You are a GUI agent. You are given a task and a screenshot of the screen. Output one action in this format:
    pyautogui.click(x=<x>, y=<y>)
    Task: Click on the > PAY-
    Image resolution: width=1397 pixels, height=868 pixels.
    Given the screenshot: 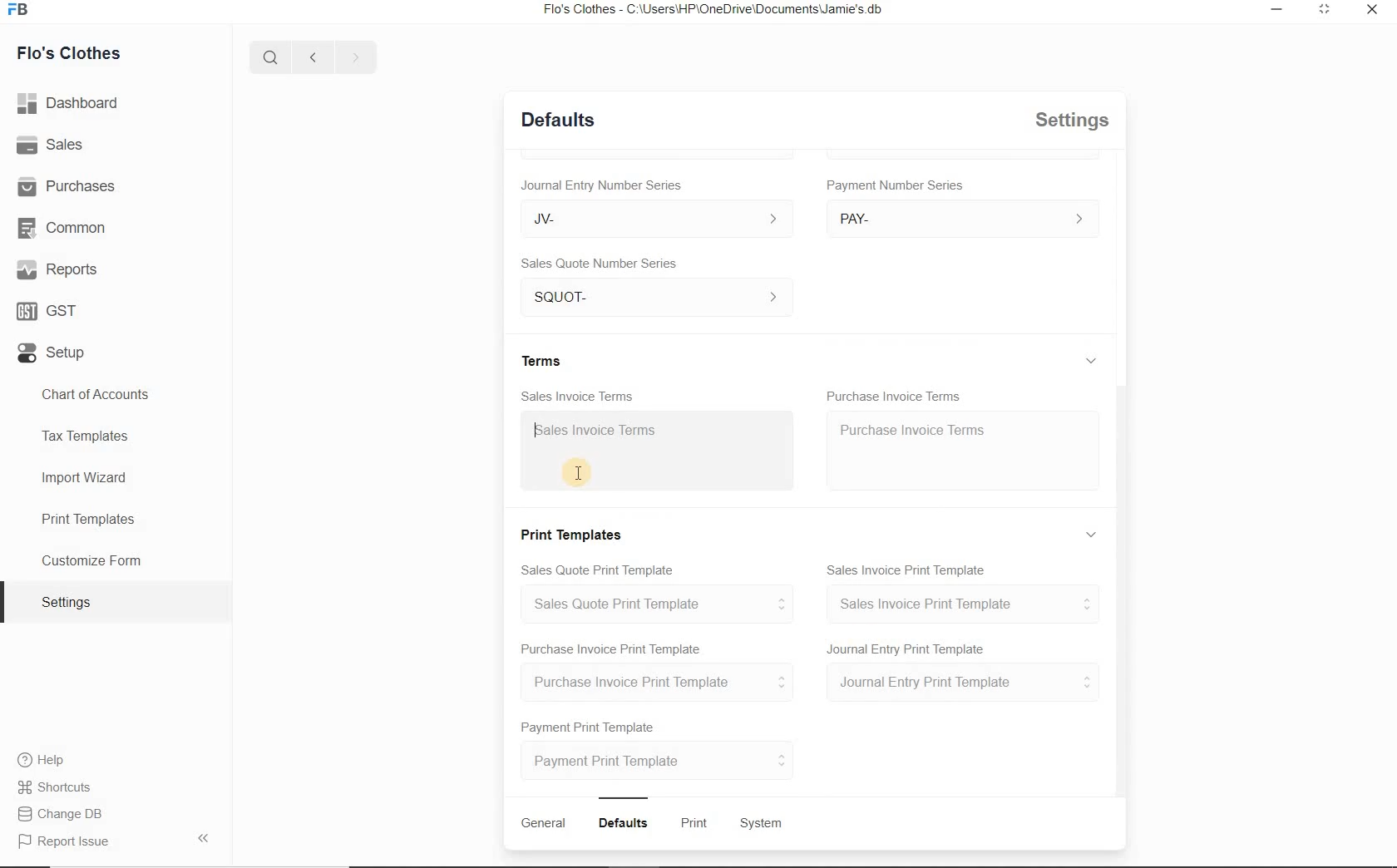 What is the action you would take?
    pyautogui.click(x=958, y=218)
    